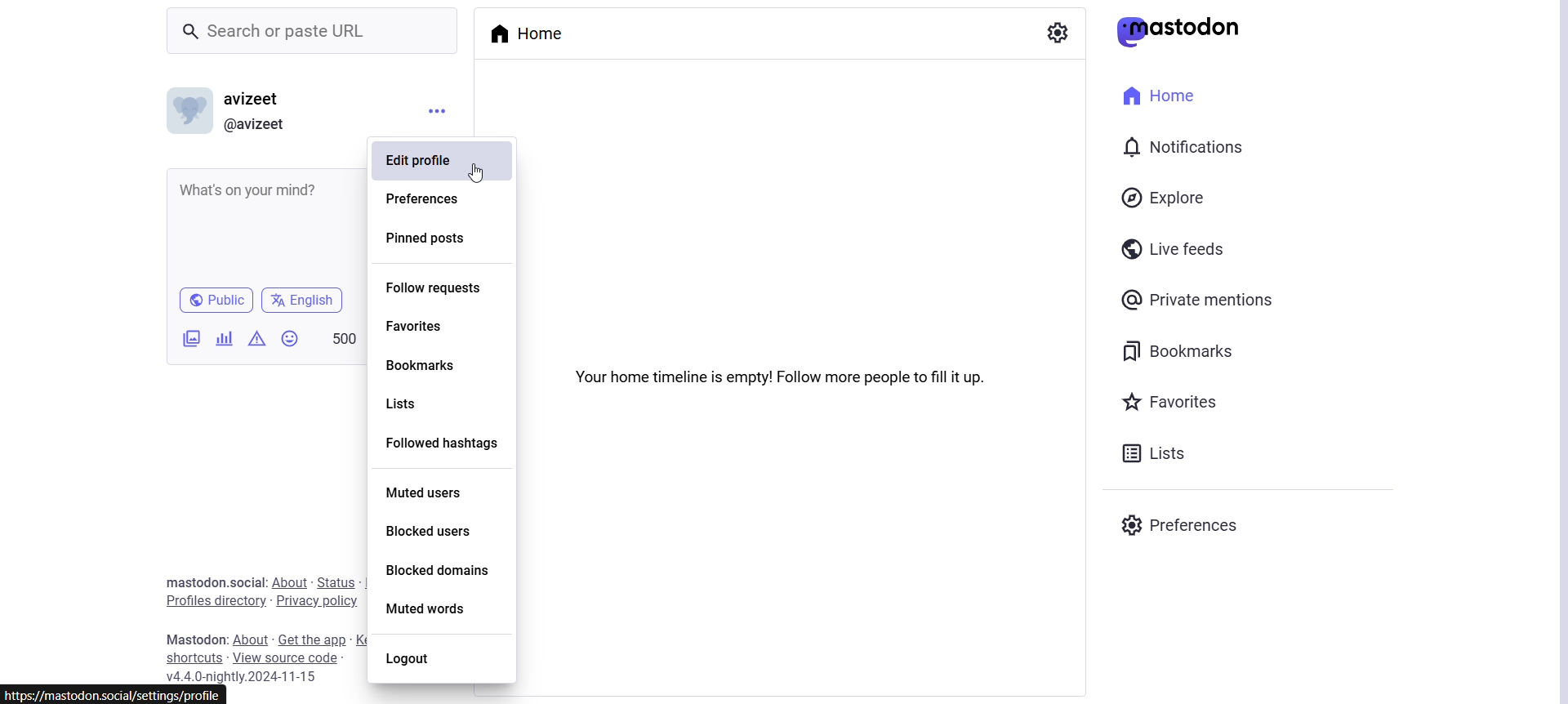 The width and height of the screenshot is (1568, 704). Describe the element at coordinates (225, 336) in the screenshot. I see `Add a poll` at that location.